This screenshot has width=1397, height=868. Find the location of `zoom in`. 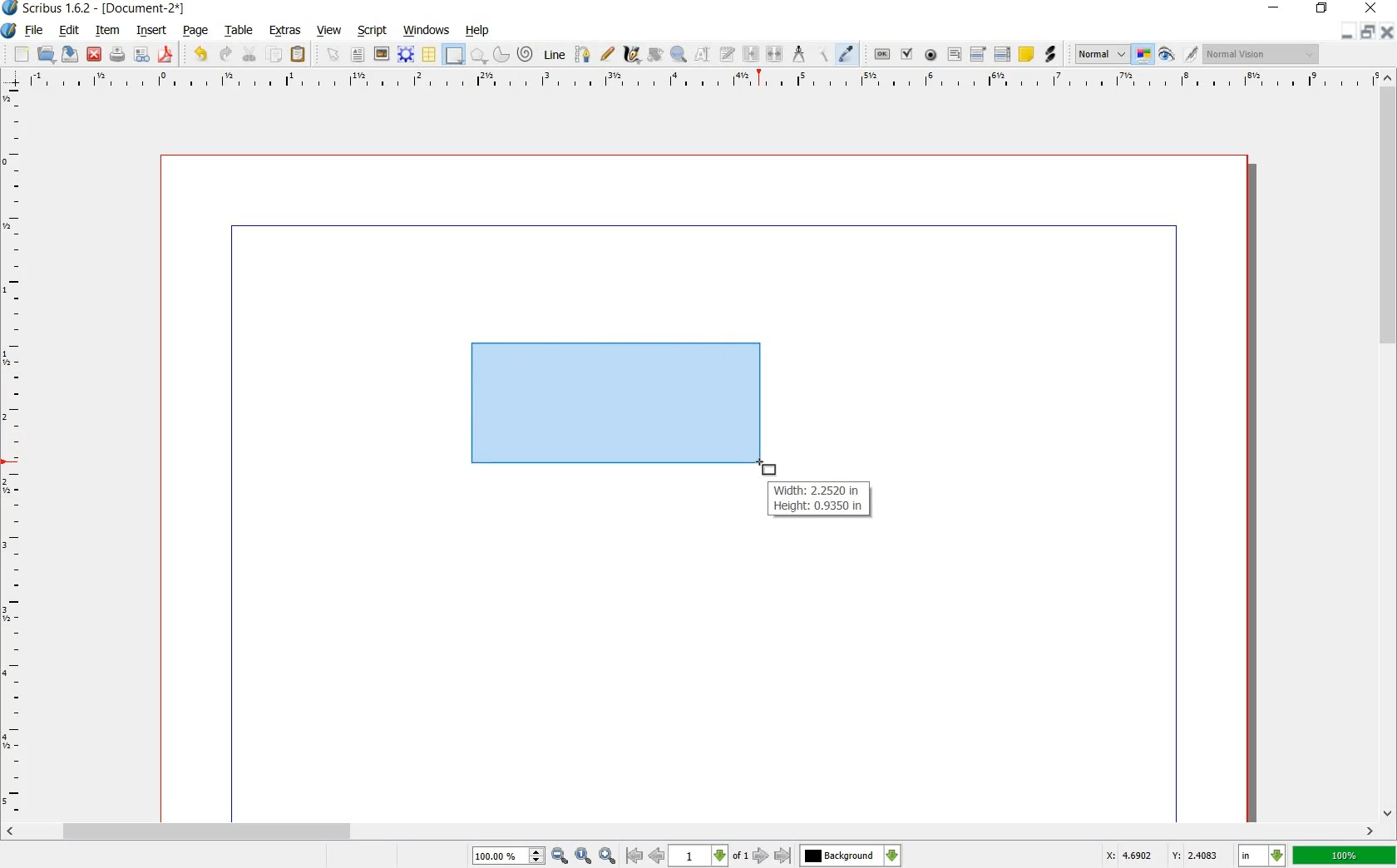

zoom in is located at coordinates (608, 856).